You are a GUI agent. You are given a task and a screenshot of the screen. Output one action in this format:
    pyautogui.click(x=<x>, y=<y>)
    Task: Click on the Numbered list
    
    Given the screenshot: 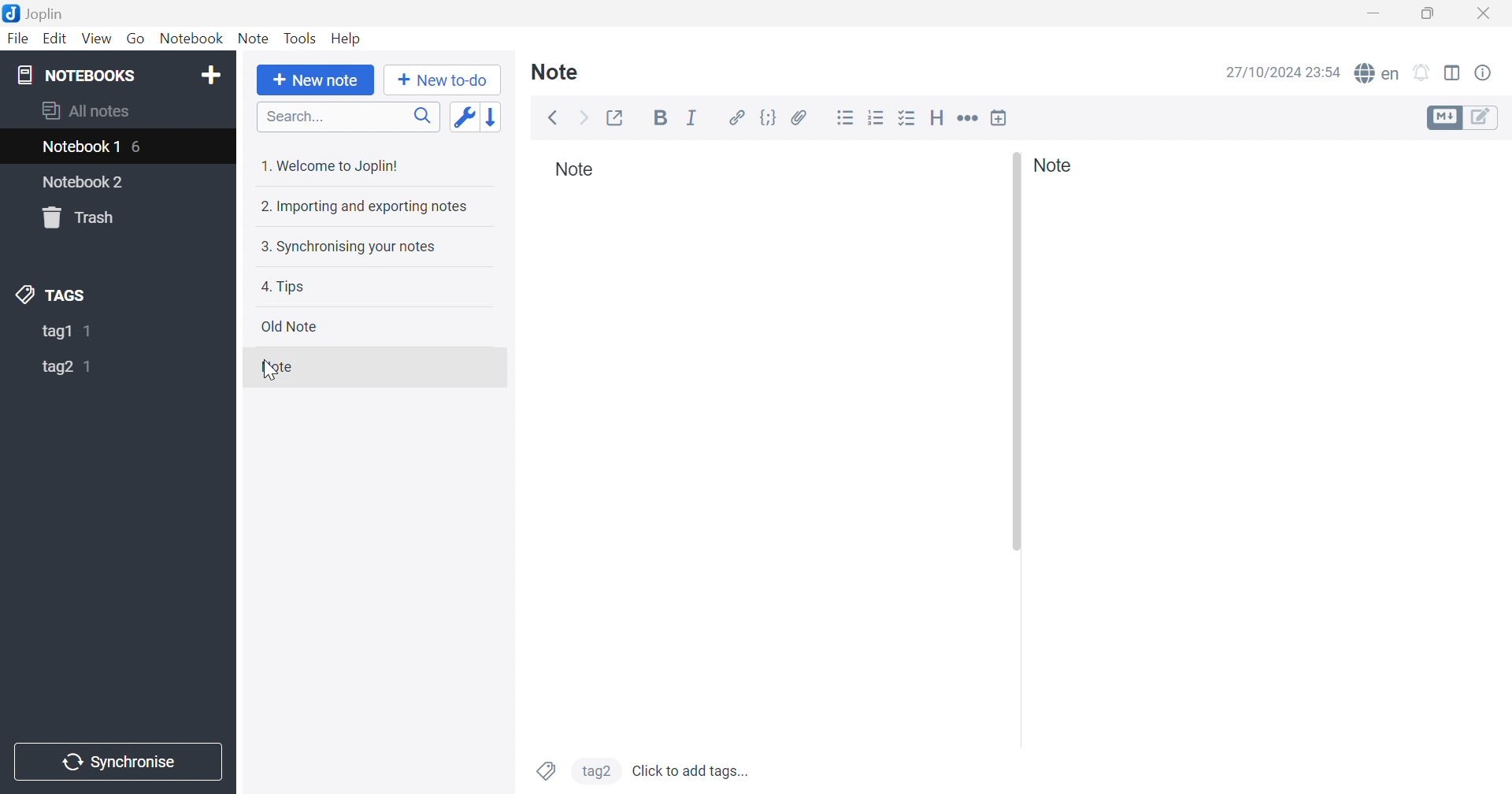 What is the action you would take?
    pyautogui.click(x=877, y=118)
    